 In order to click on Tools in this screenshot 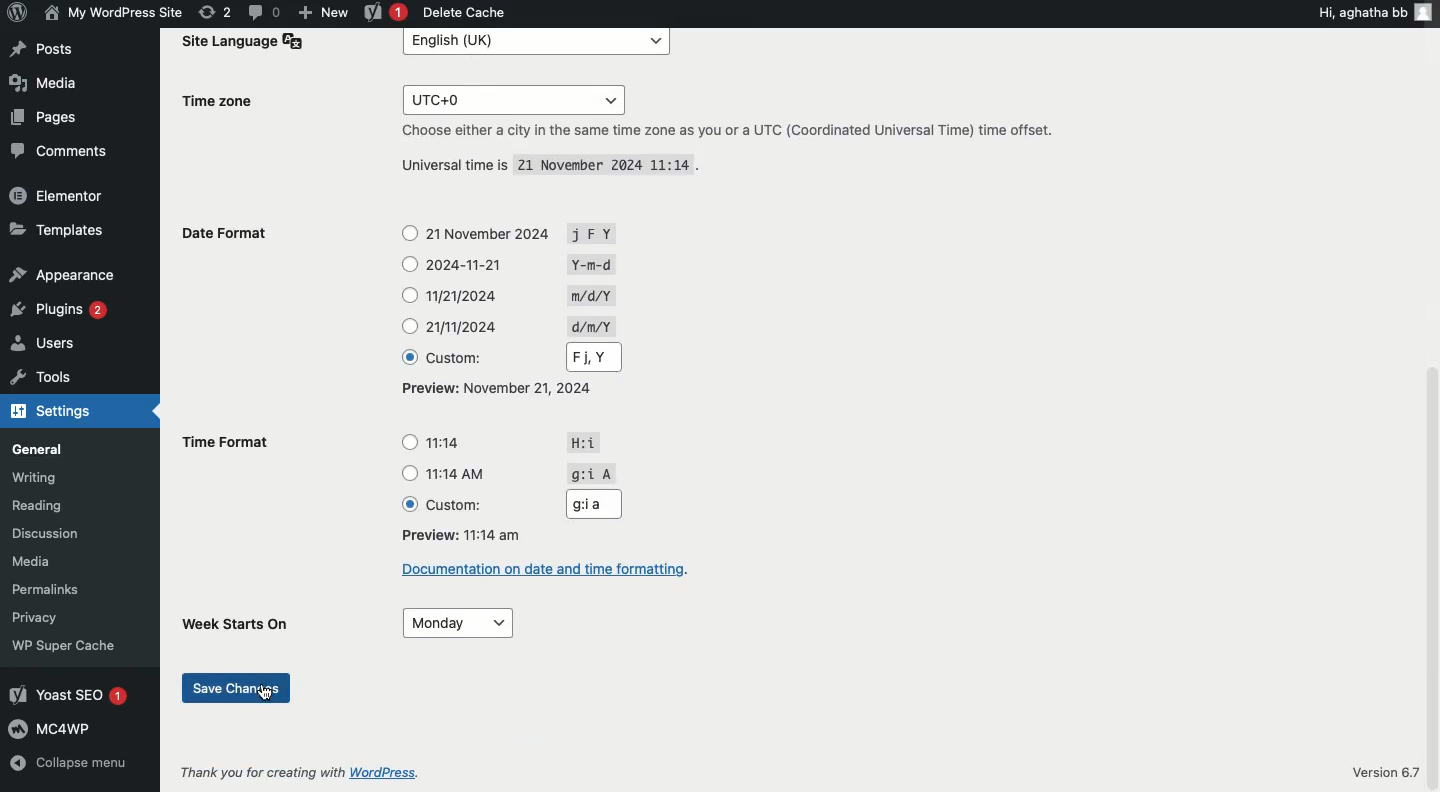, I will do `click(39, 379)`.